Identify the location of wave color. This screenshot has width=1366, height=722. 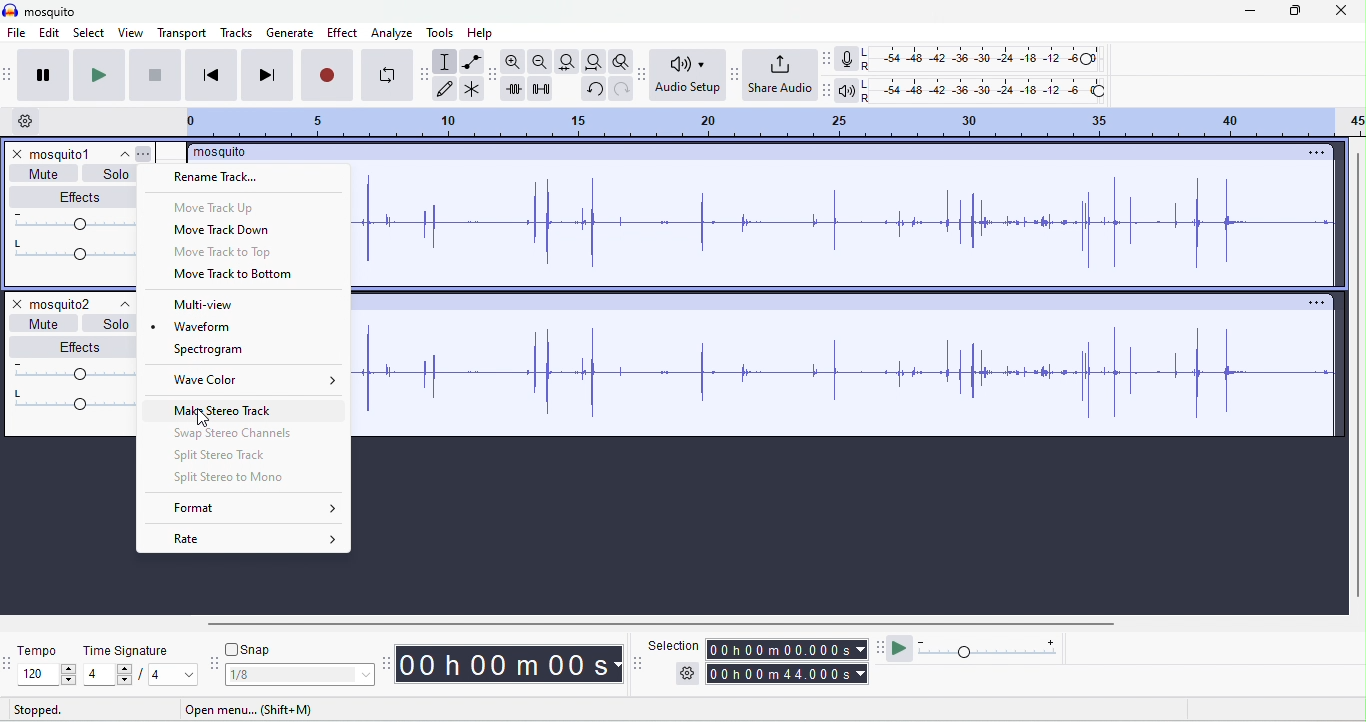
(260, 381).